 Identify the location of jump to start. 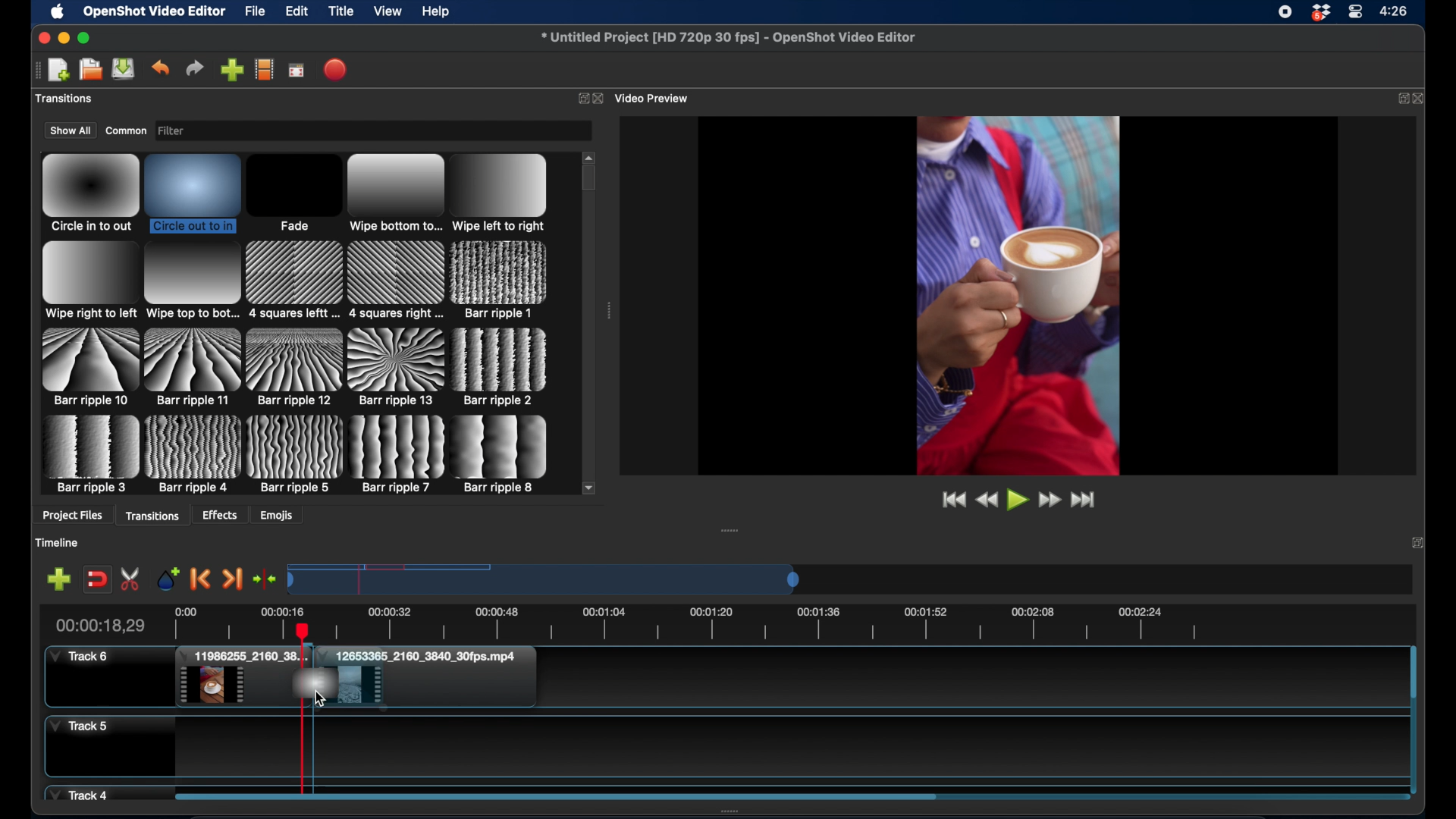
(951, 499).